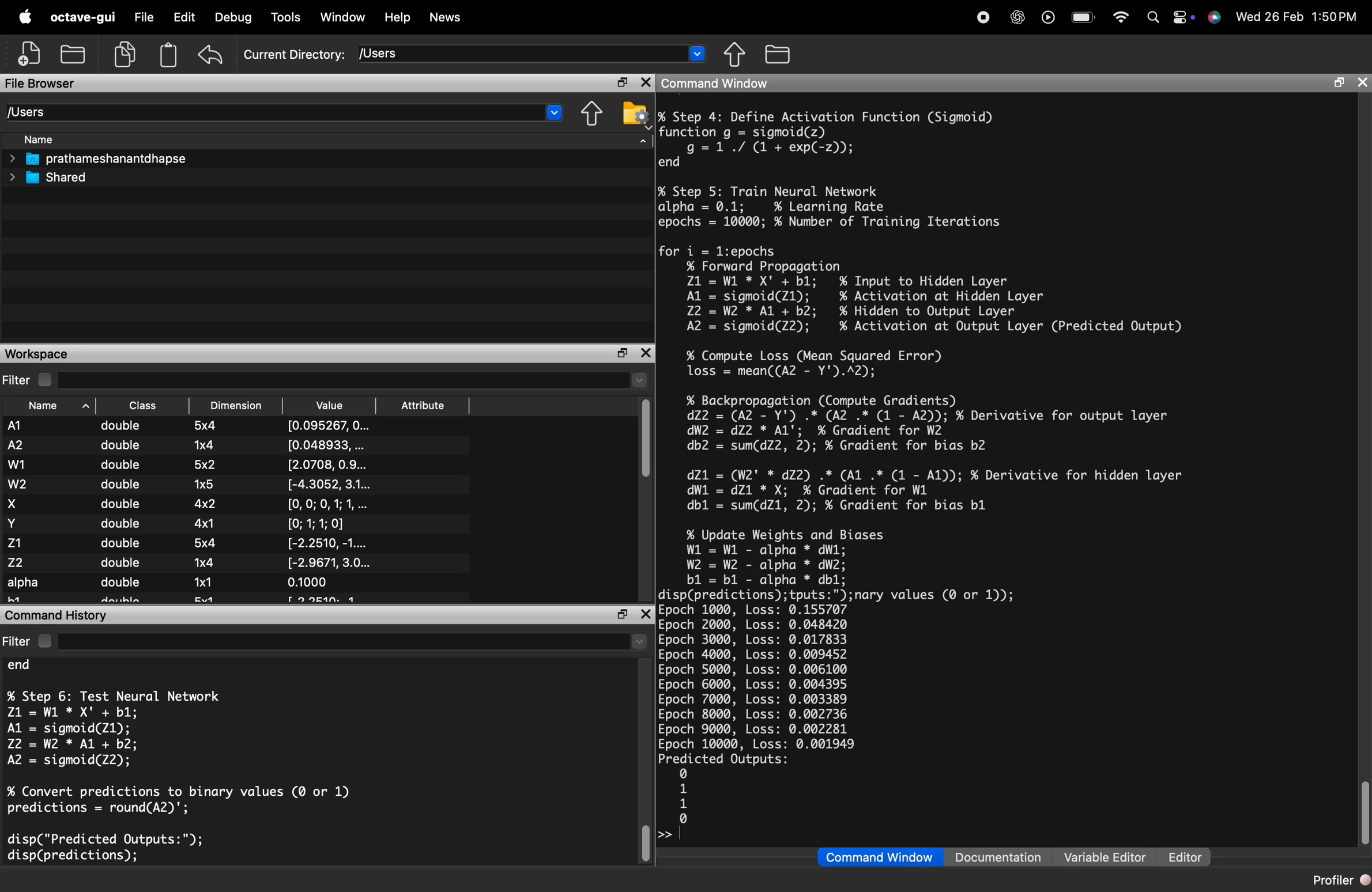 Image resolution: width=1372 pixels, height=892 pixels. What do you see at coordinates (76, 54) in the screenshot?
I see `open an existing file in directory` at bounding box center [76, 54].